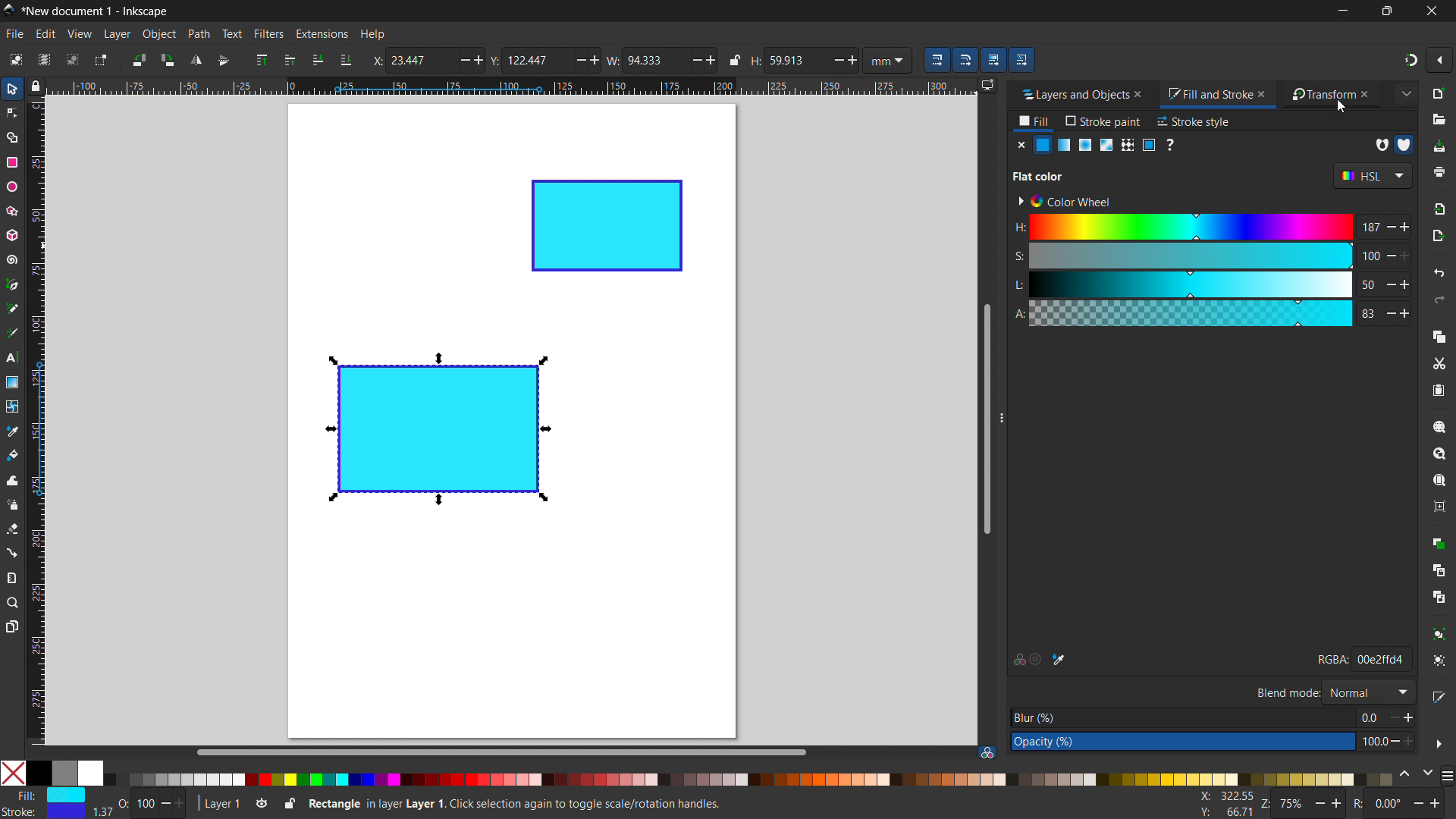 This screenshot has width=1456, height=819. I want to click on O: 100, so click(153, 802).